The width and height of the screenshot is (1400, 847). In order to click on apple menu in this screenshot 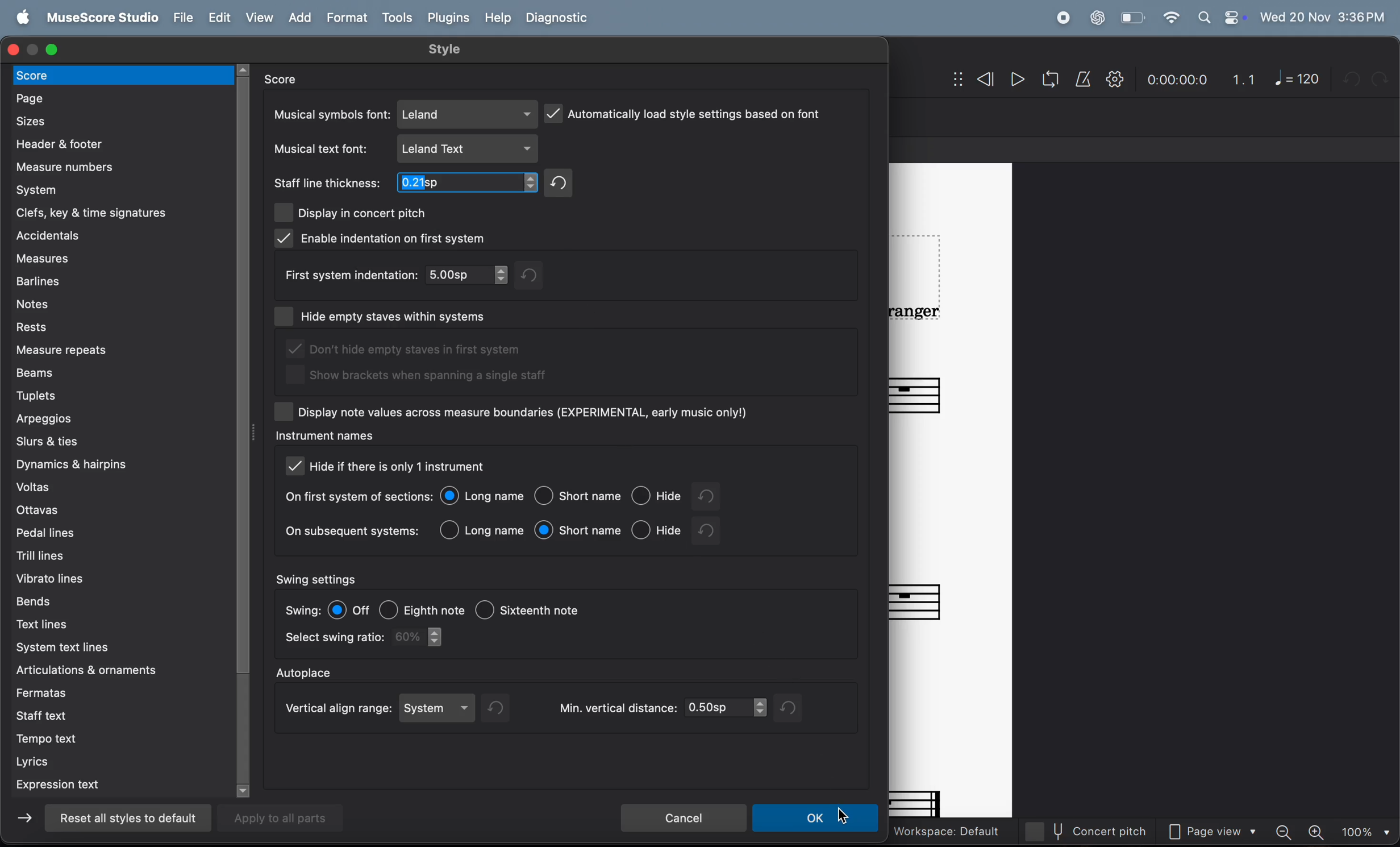, I will do `click(19, 18)`.